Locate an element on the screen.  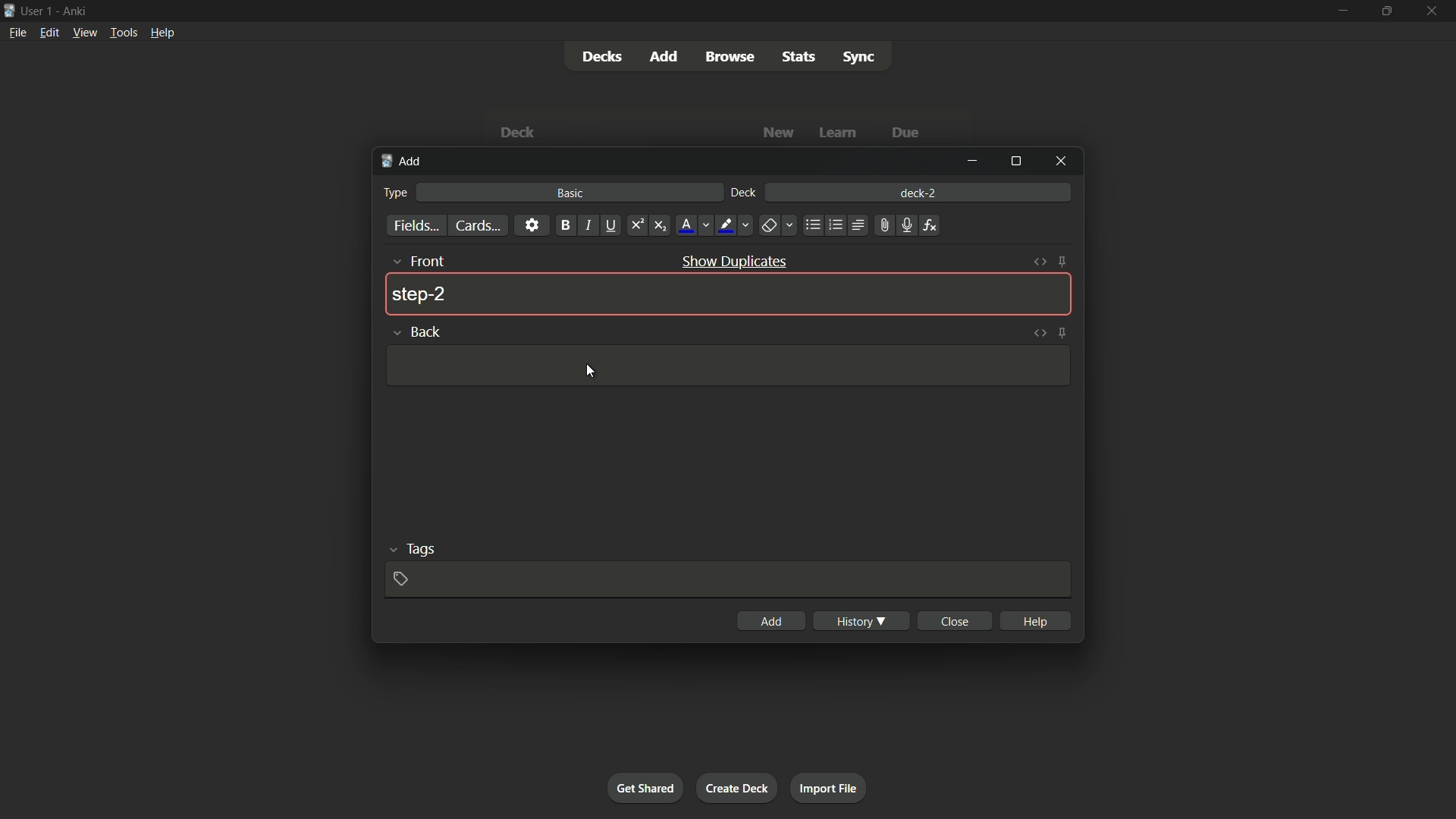
tags is located at coordinates (412, 550).